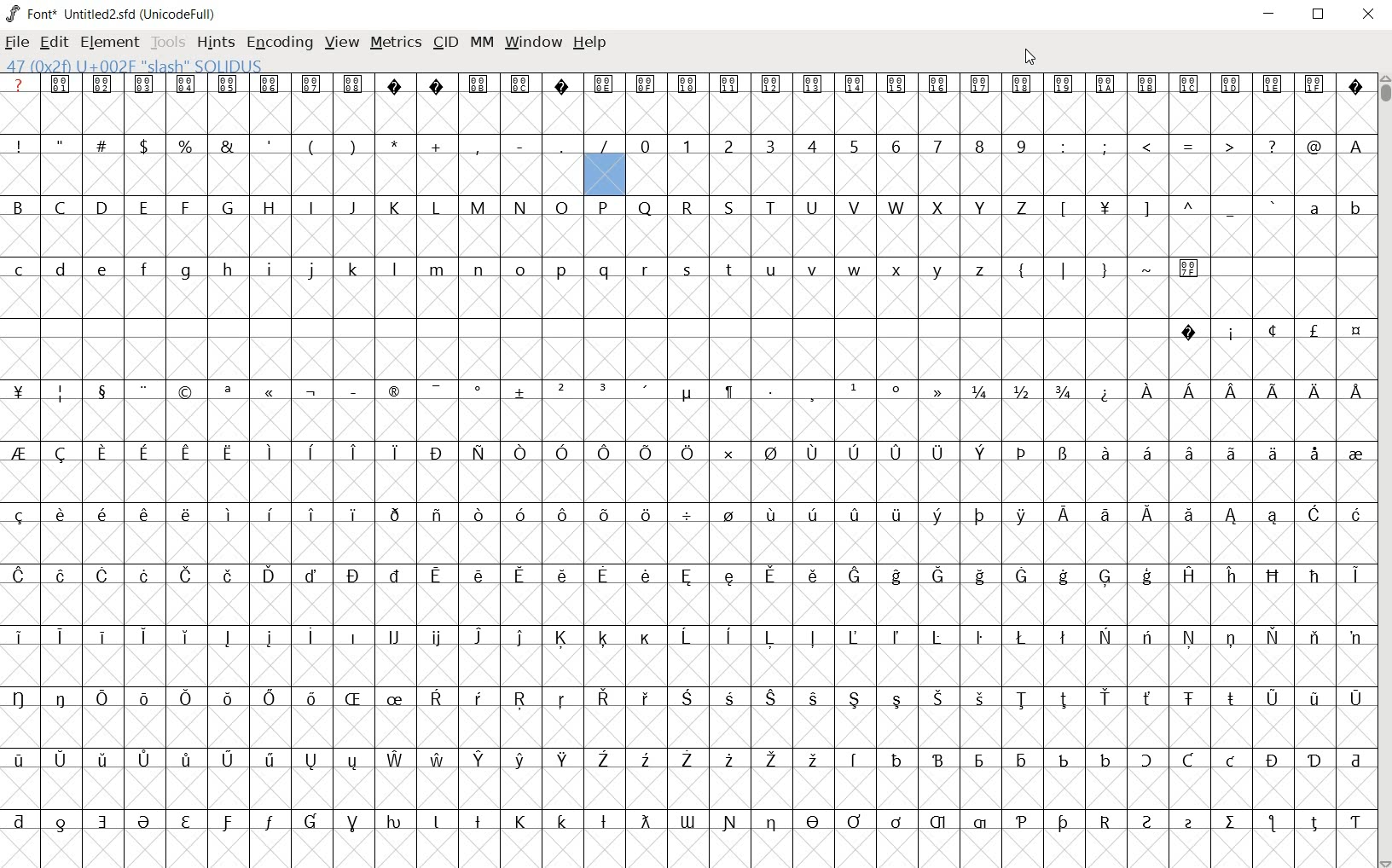  Describe the element at coordinates (689, 453) in the screenshot. I see `special letters` at that location.